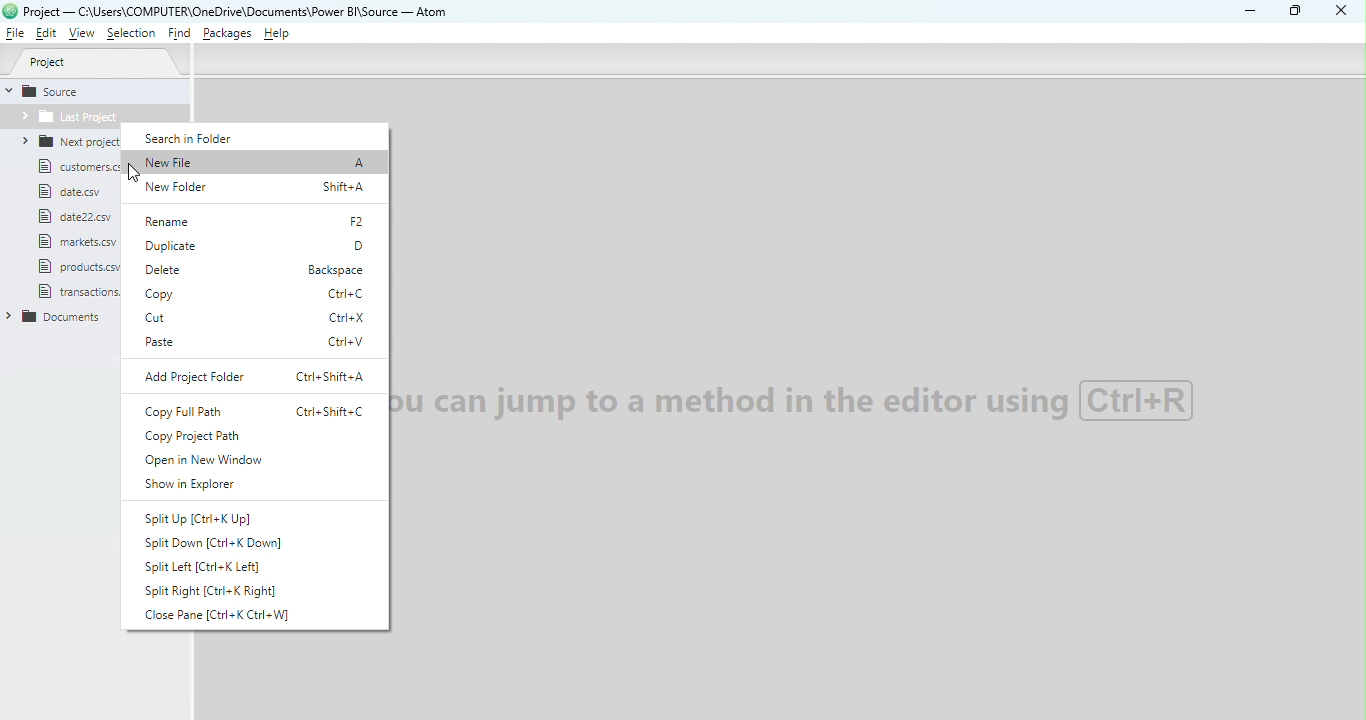  What do you see at coordinates (70, 218) in the screenshot?
I see `file` at bounding box center [70, 218].